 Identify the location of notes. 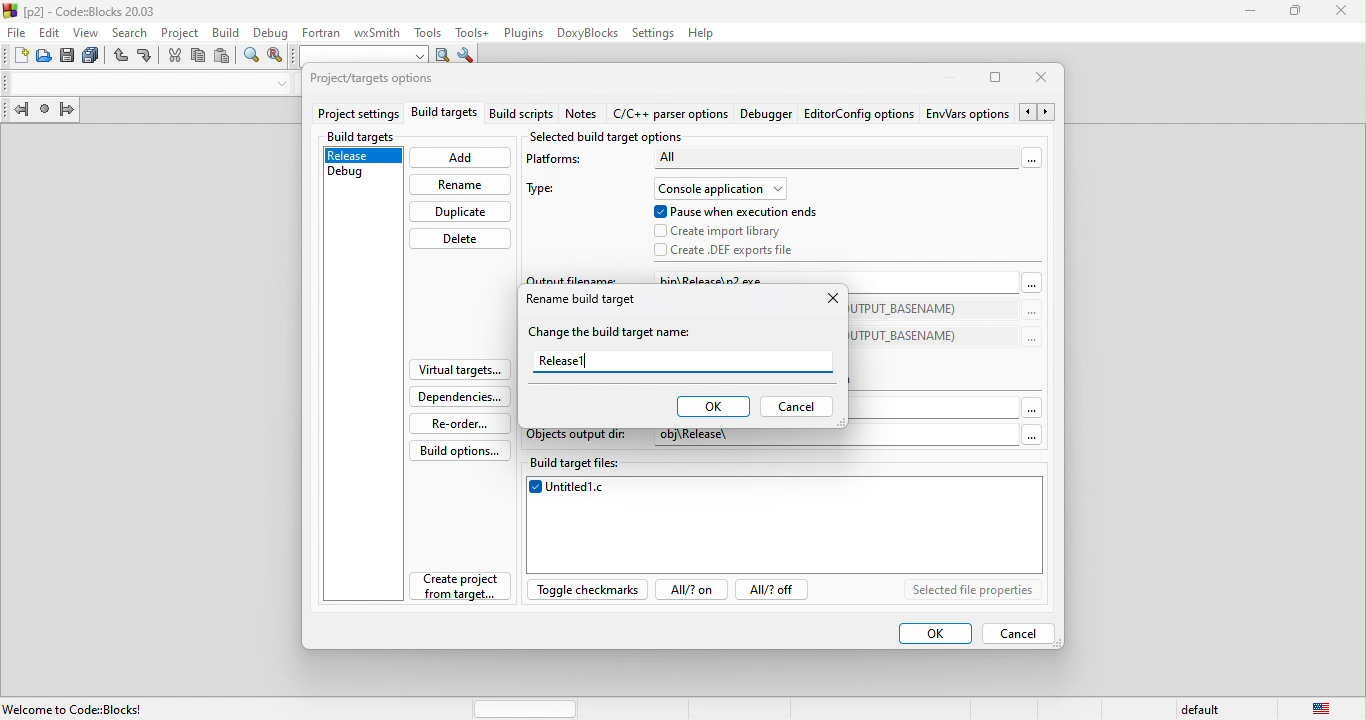
(589, 115).